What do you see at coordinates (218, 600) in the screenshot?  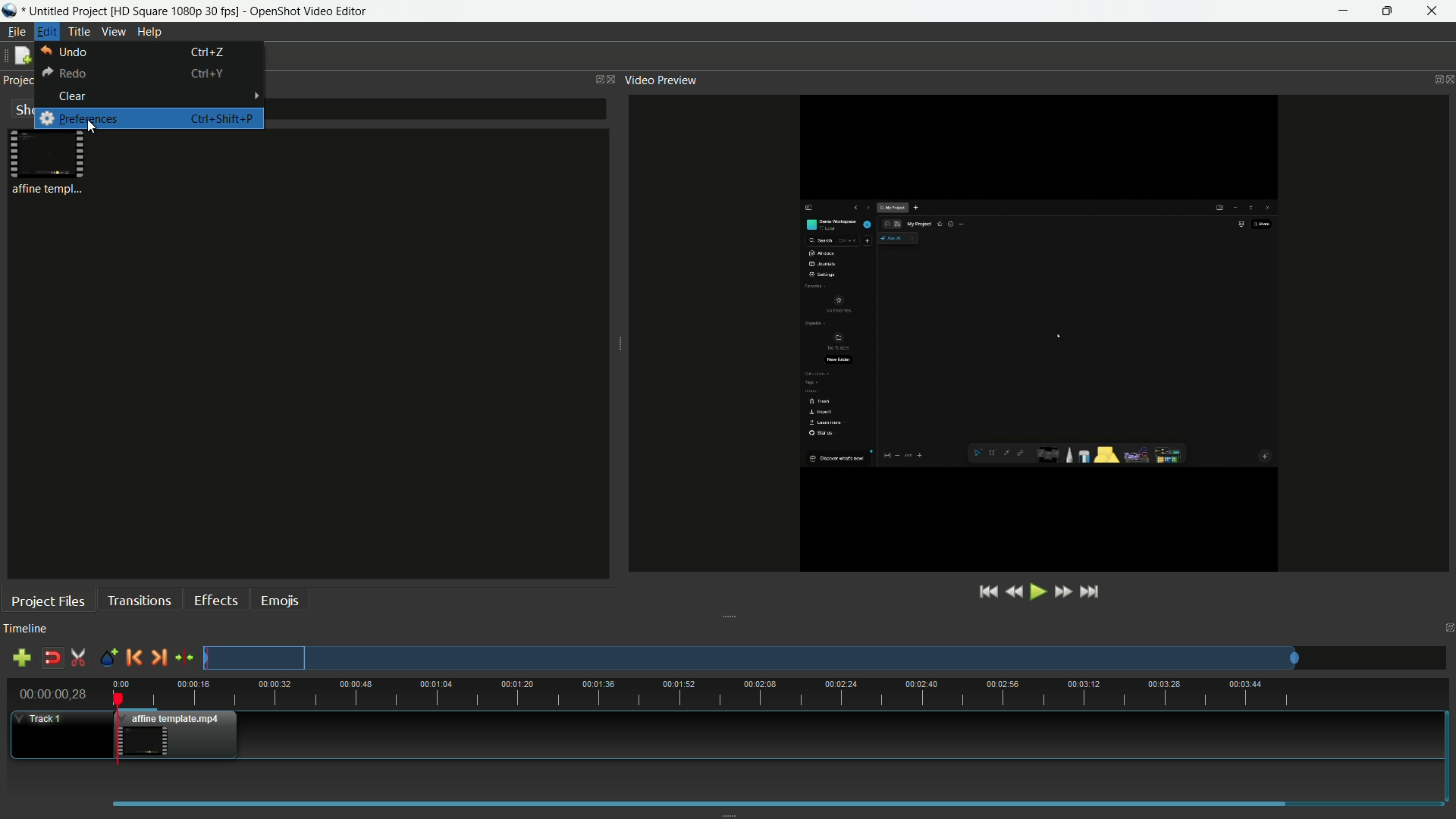 I see `effects` at bounding box center [218, 600].